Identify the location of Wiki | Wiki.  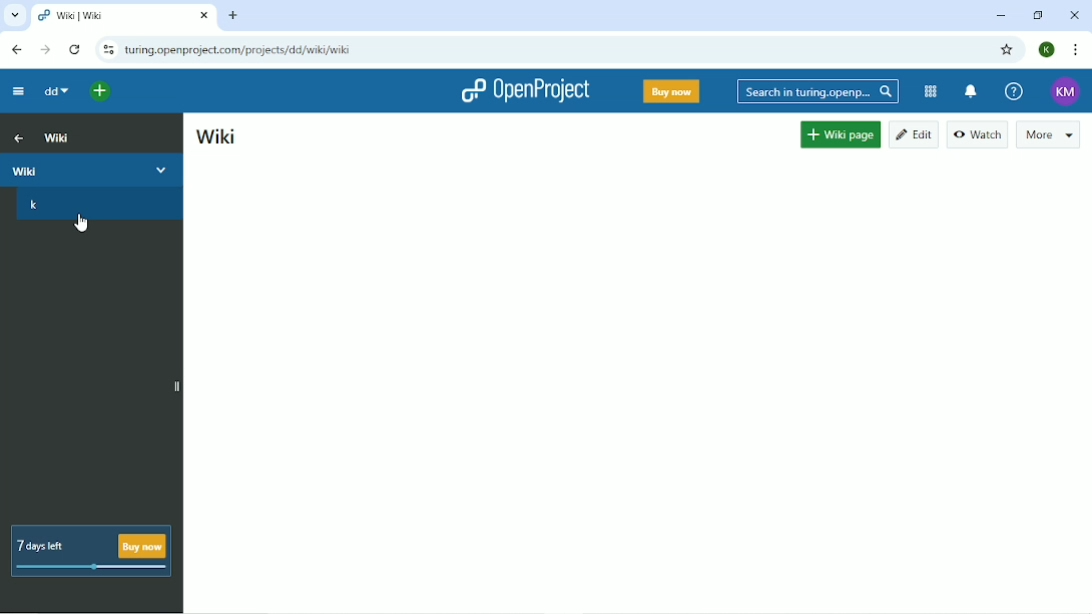
(102, 16).